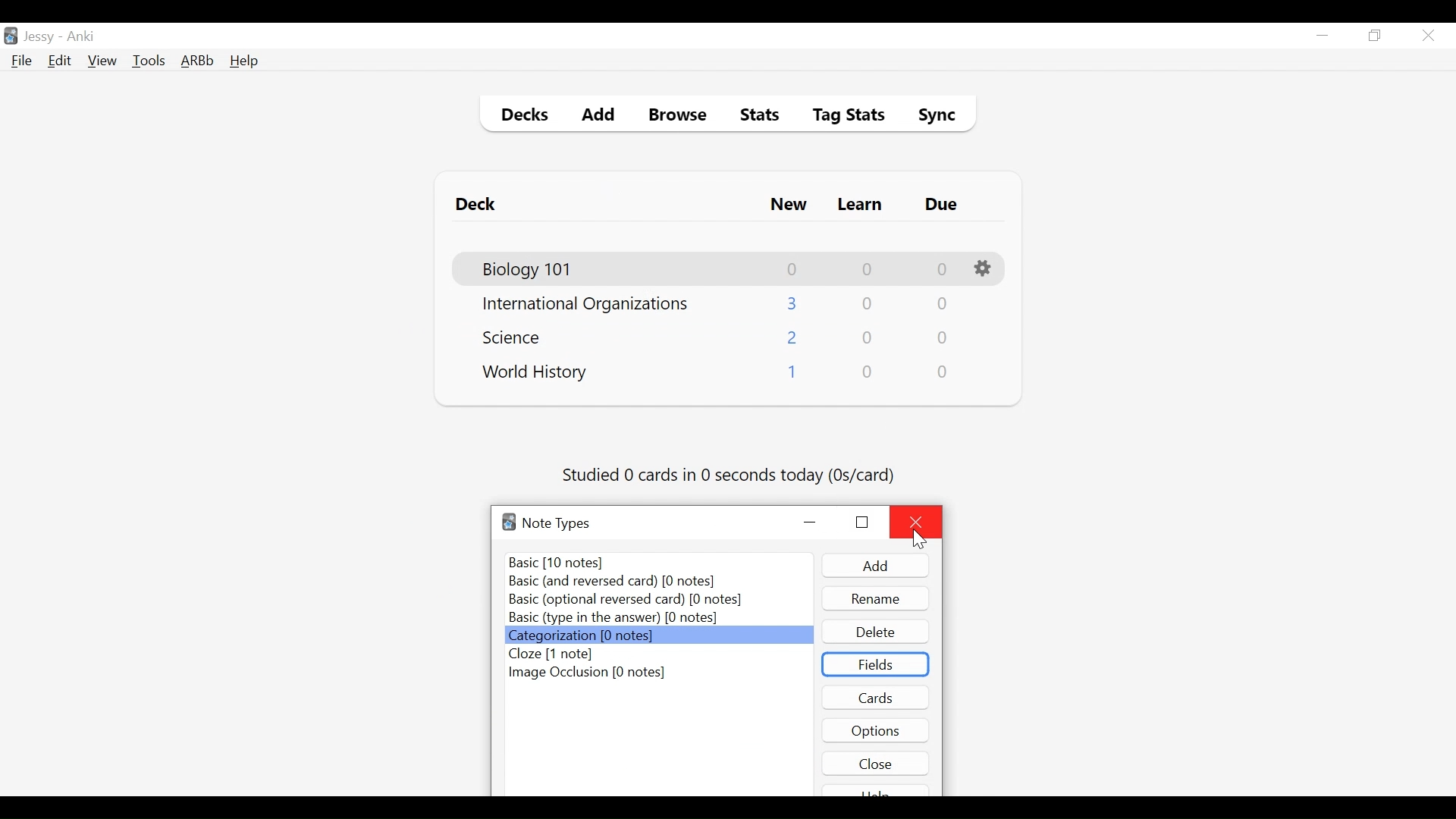  What do you see at coordinates (58, 62) in the screenshot?
I see `Edit` at bounding box center [58, 62].